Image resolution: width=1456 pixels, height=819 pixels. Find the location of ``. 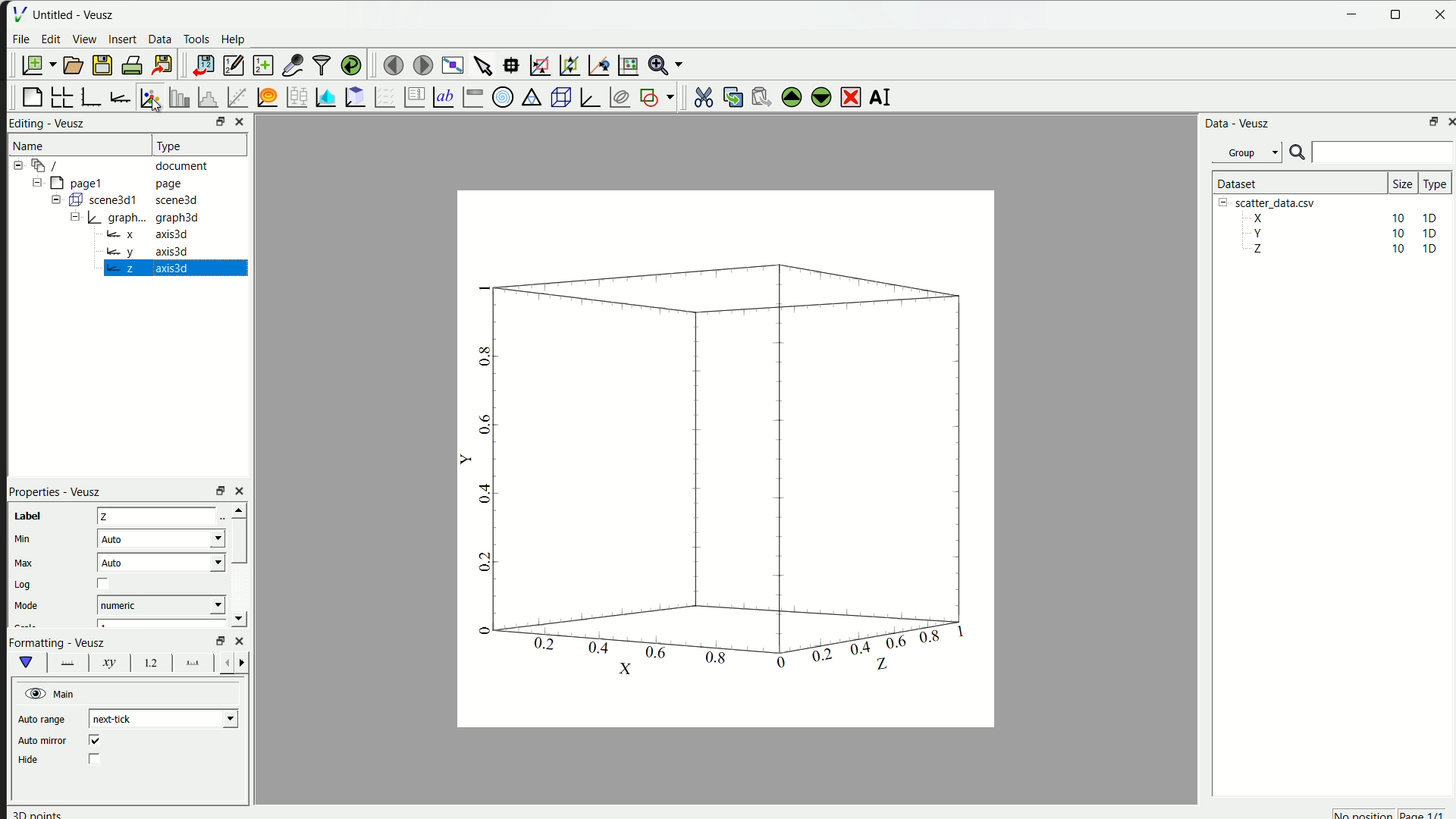

 is located at coordinates (218, 639).